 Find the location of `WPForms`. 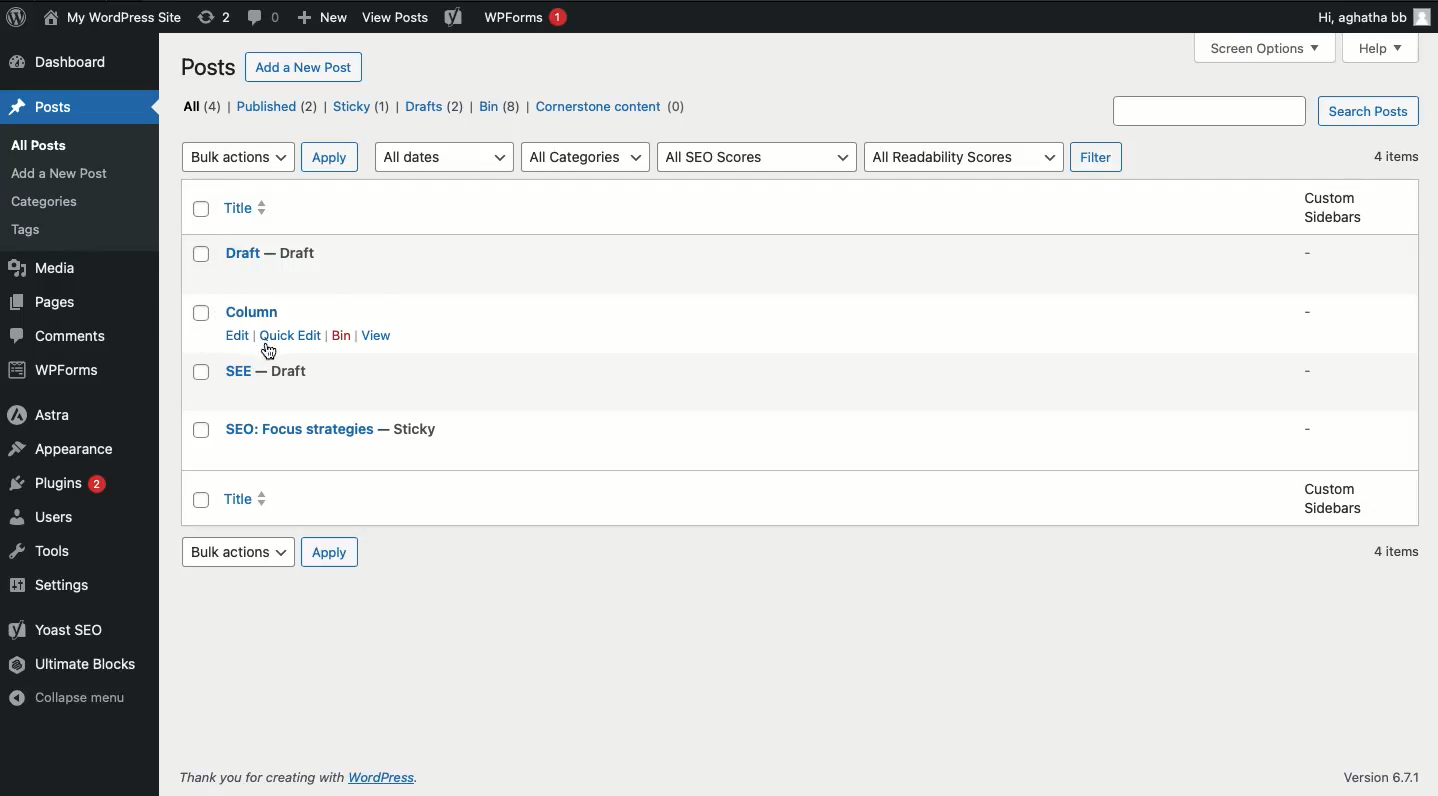

WPForms is located at coordinates (57, 370).